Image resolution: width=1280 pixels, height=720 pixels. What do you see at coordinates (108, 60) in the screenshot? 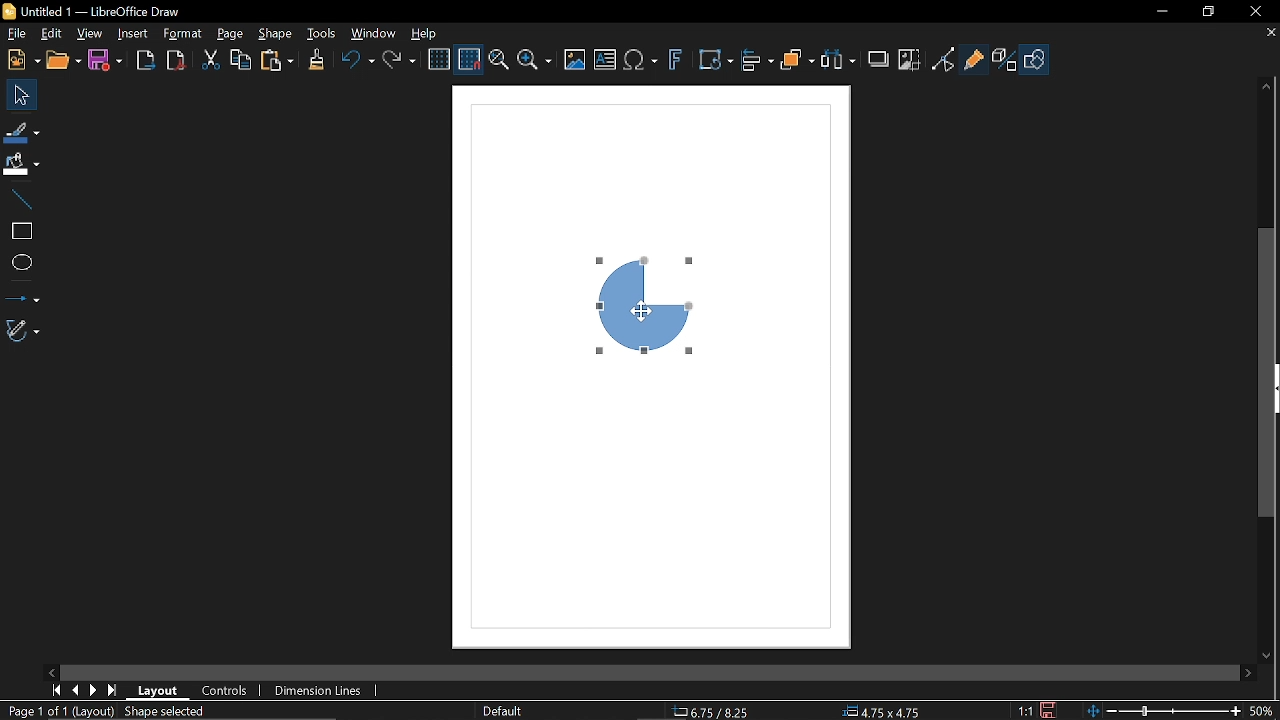
I see `Save` at bounding box center [108, 60].